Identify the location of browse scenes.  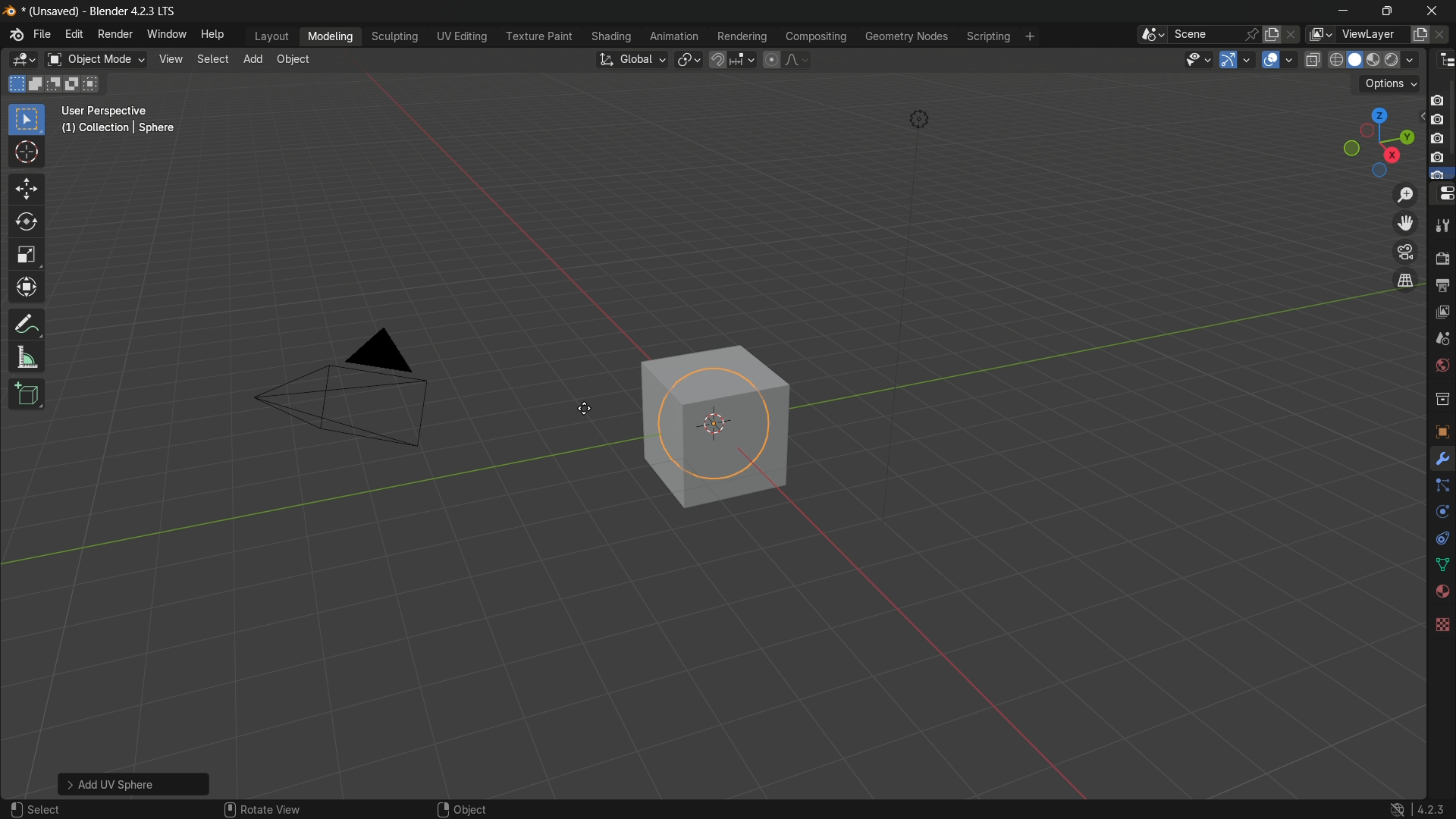
(1153, 35).